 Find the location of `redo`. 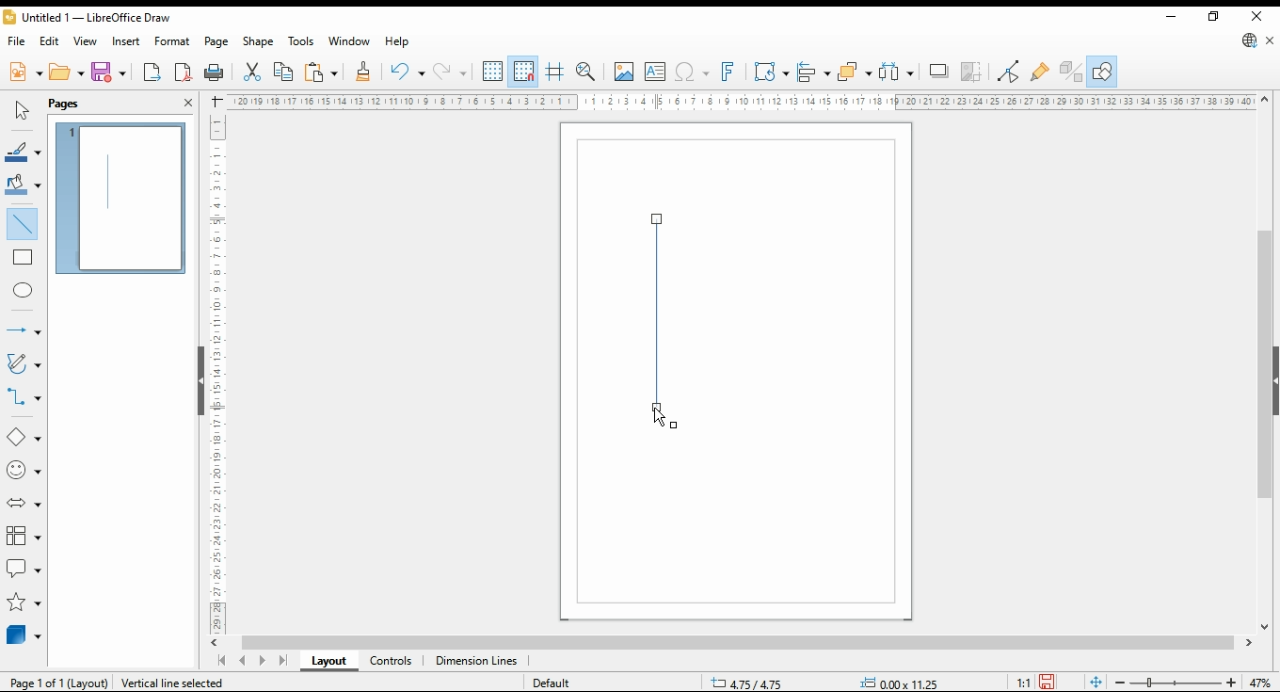

redo is located at coordinates (450, 73).